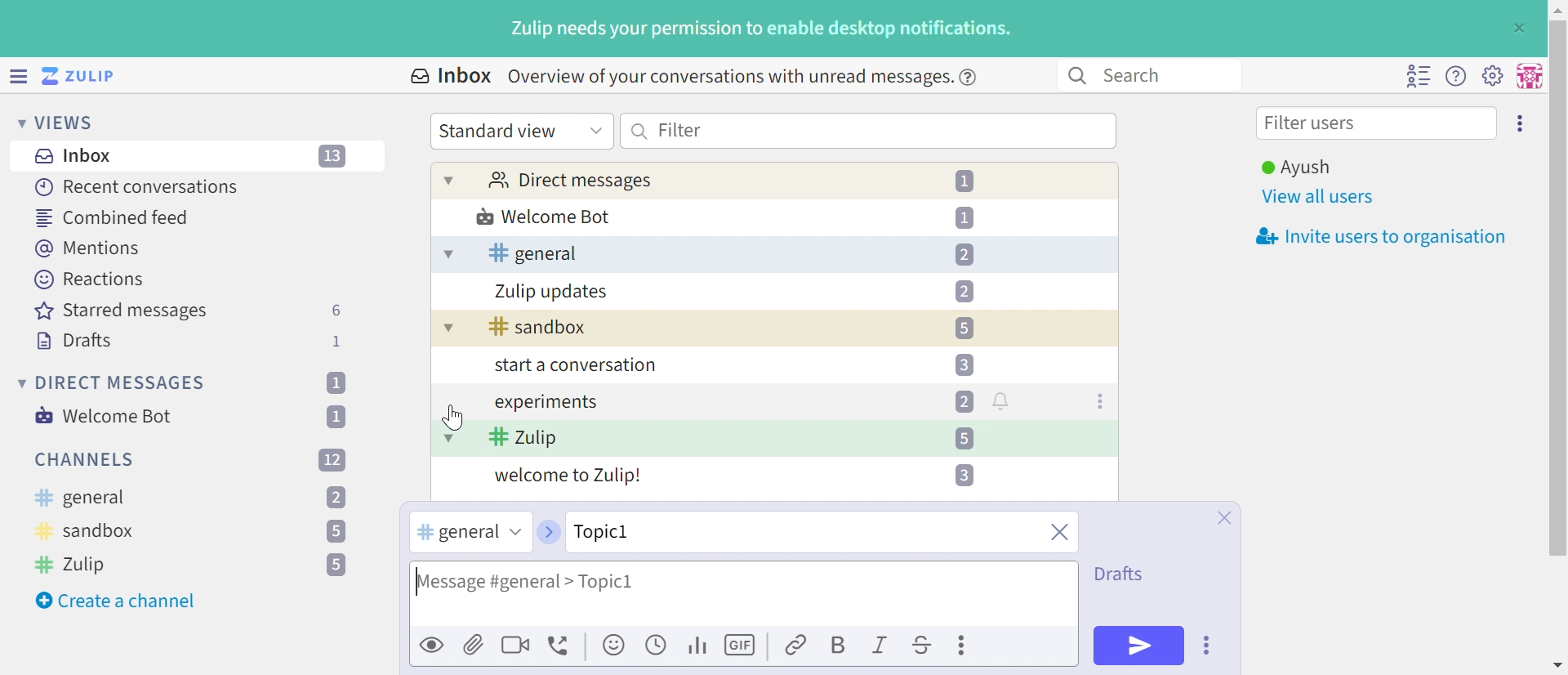 This screenshot has height=675, width=1568. What do you see at coordinates (545, 403) in the screenshot?
I see `experiments` at bounding box center [545, 403].